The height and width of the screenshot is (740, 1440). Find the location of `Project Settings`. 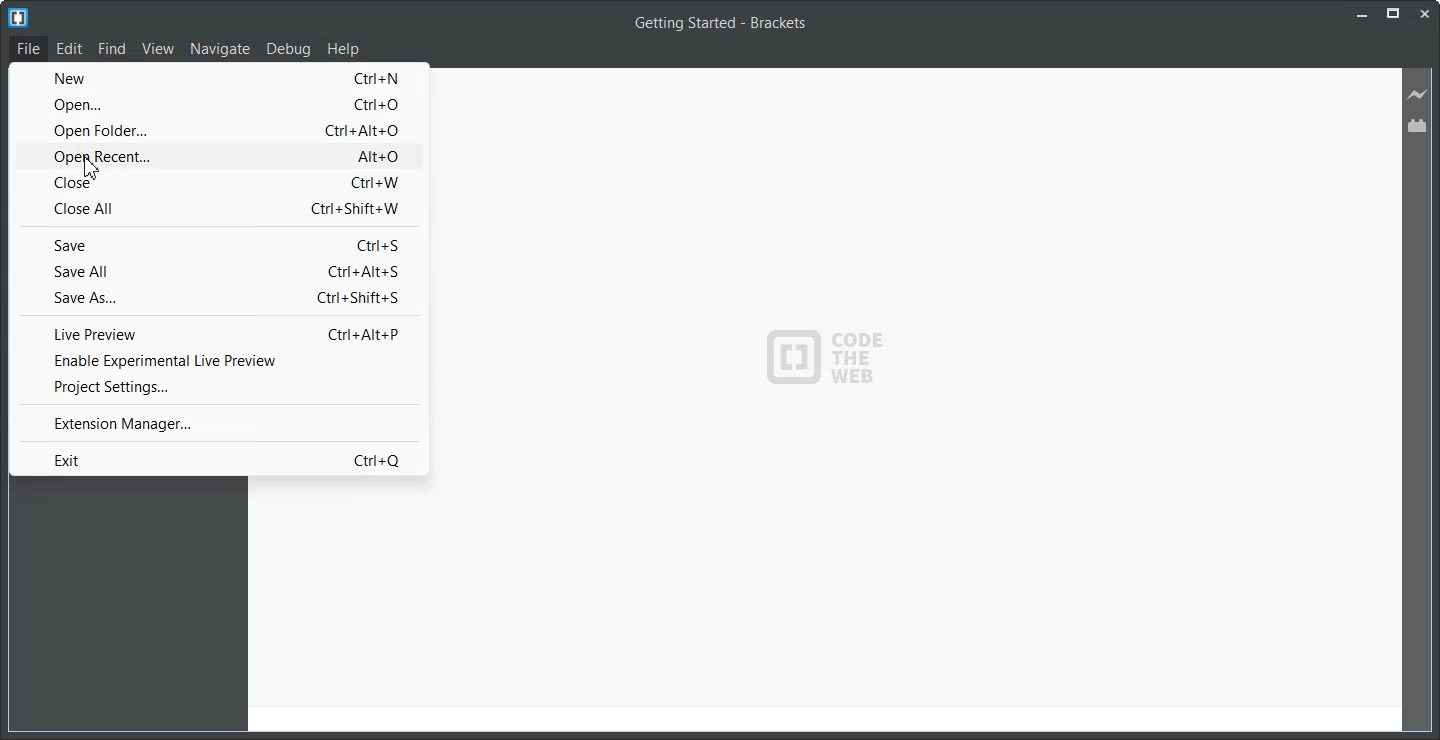

Project Settings is located at coordinates (220, 386).